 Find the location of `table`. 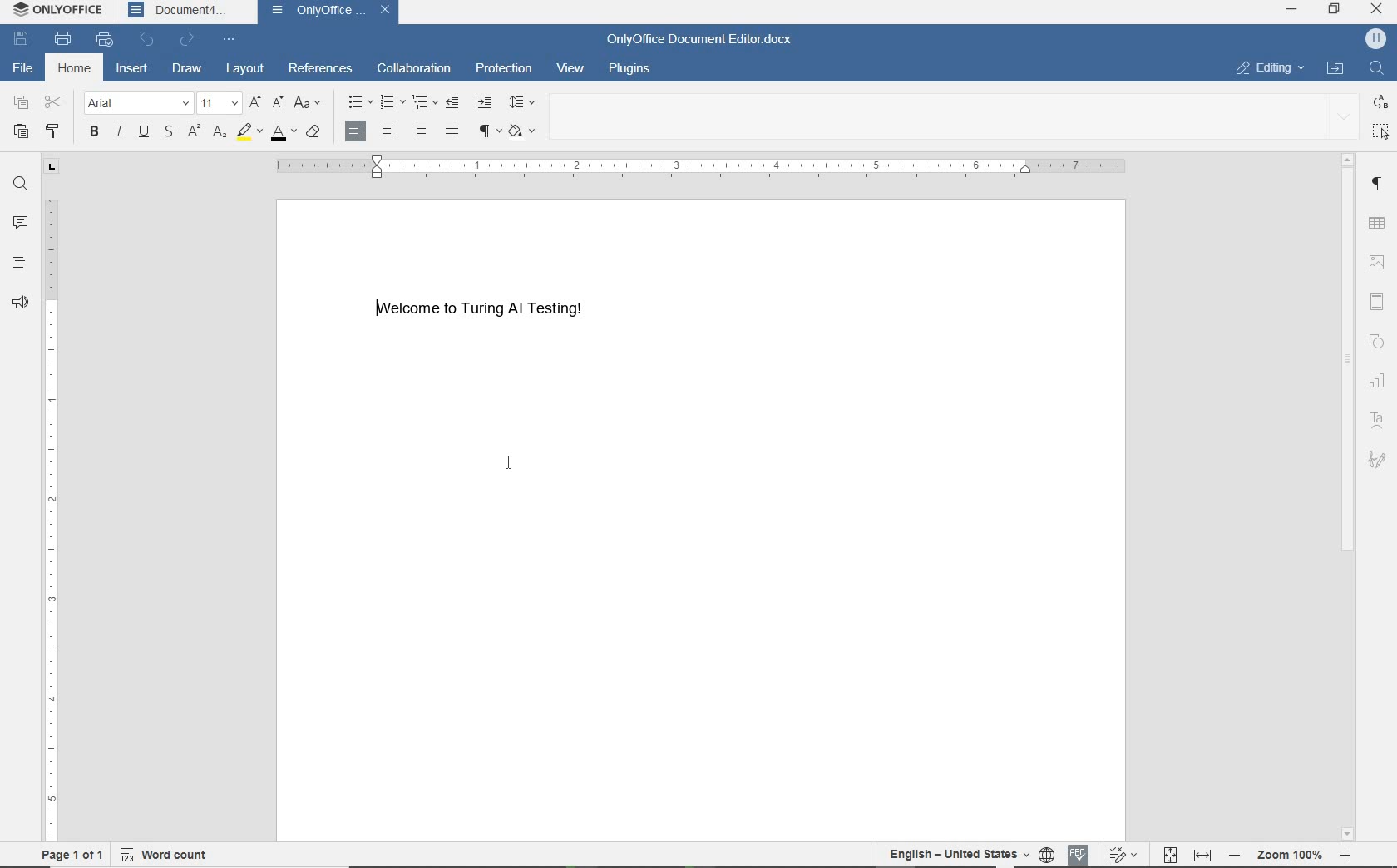

table is located at coordinates (1377, 224).